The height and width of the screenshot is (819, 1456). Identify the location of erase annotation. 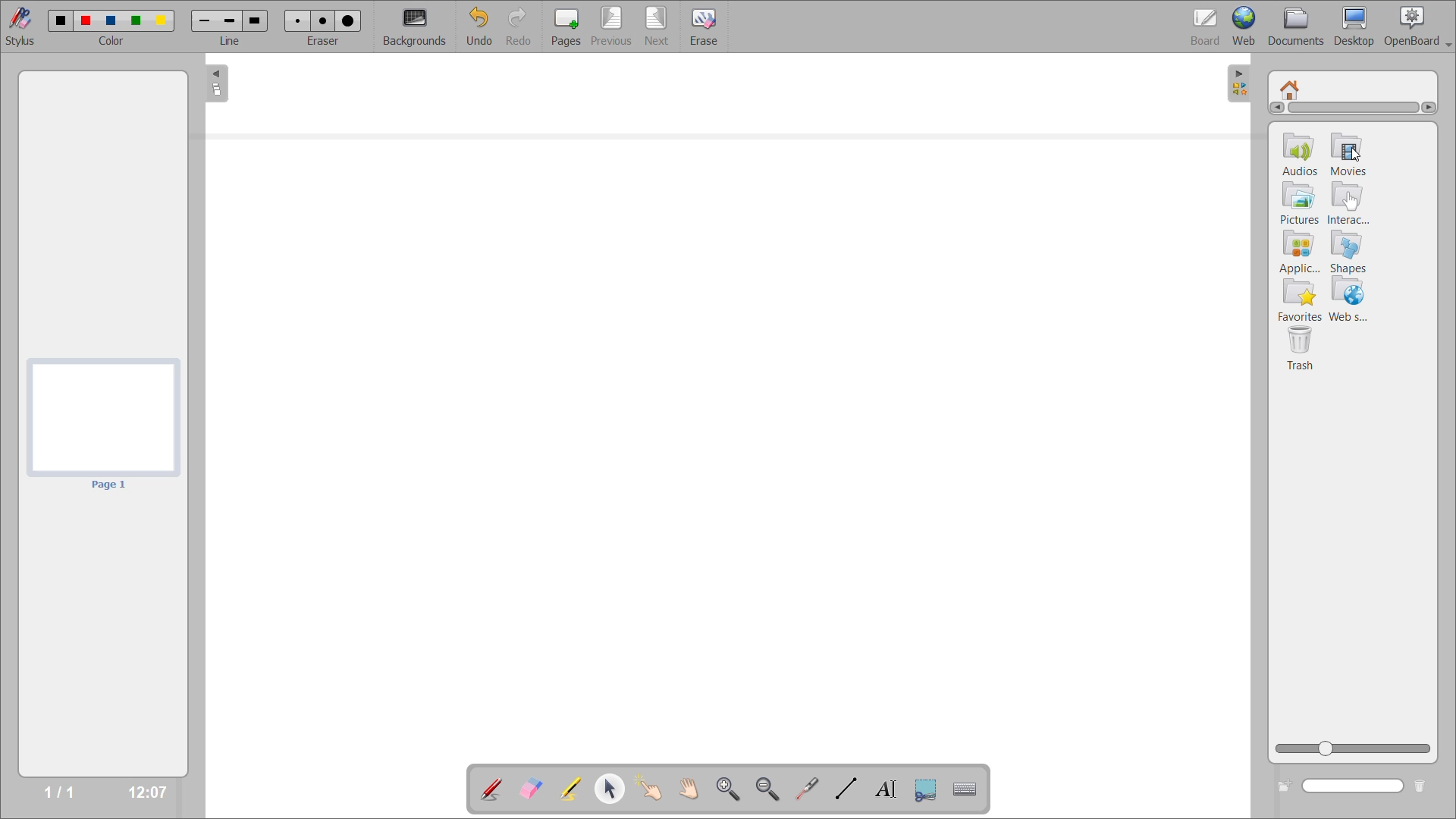
(529, 788).